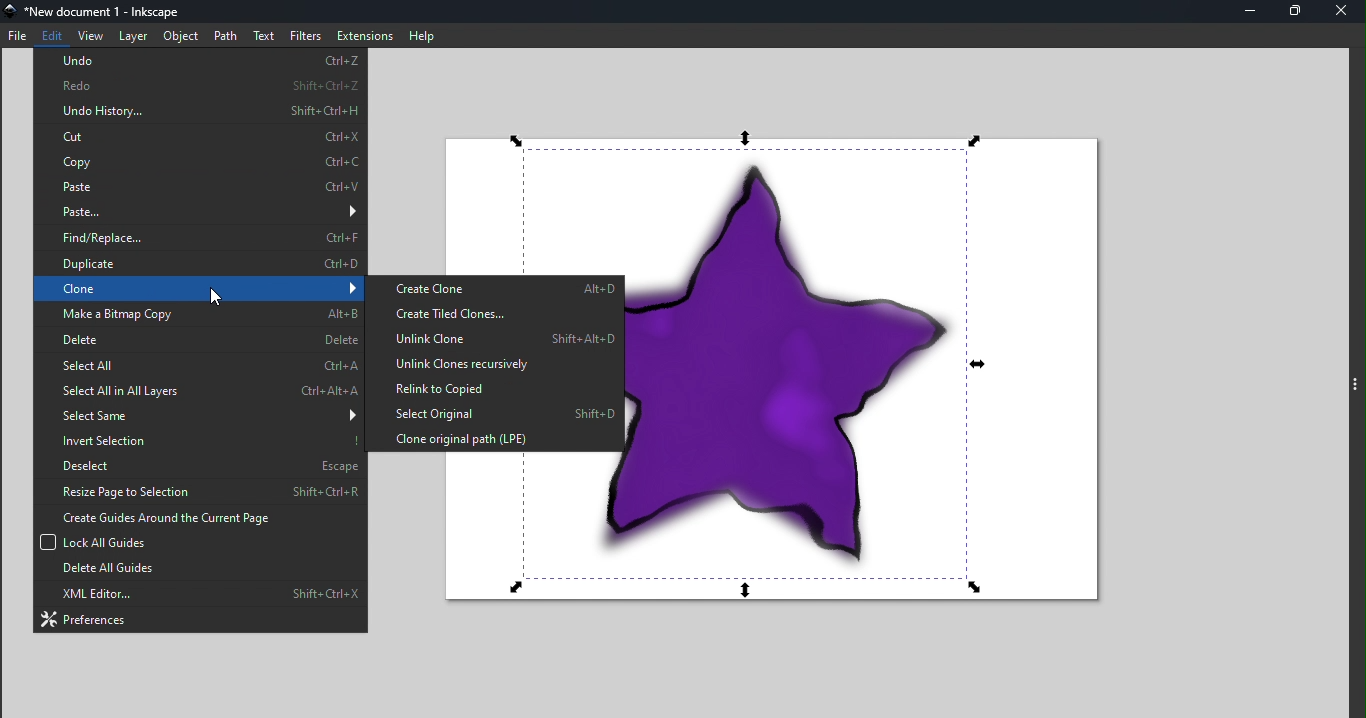 The width and height of the screenshot is (1366, 718). I want to click on cut, so click(202, 138).